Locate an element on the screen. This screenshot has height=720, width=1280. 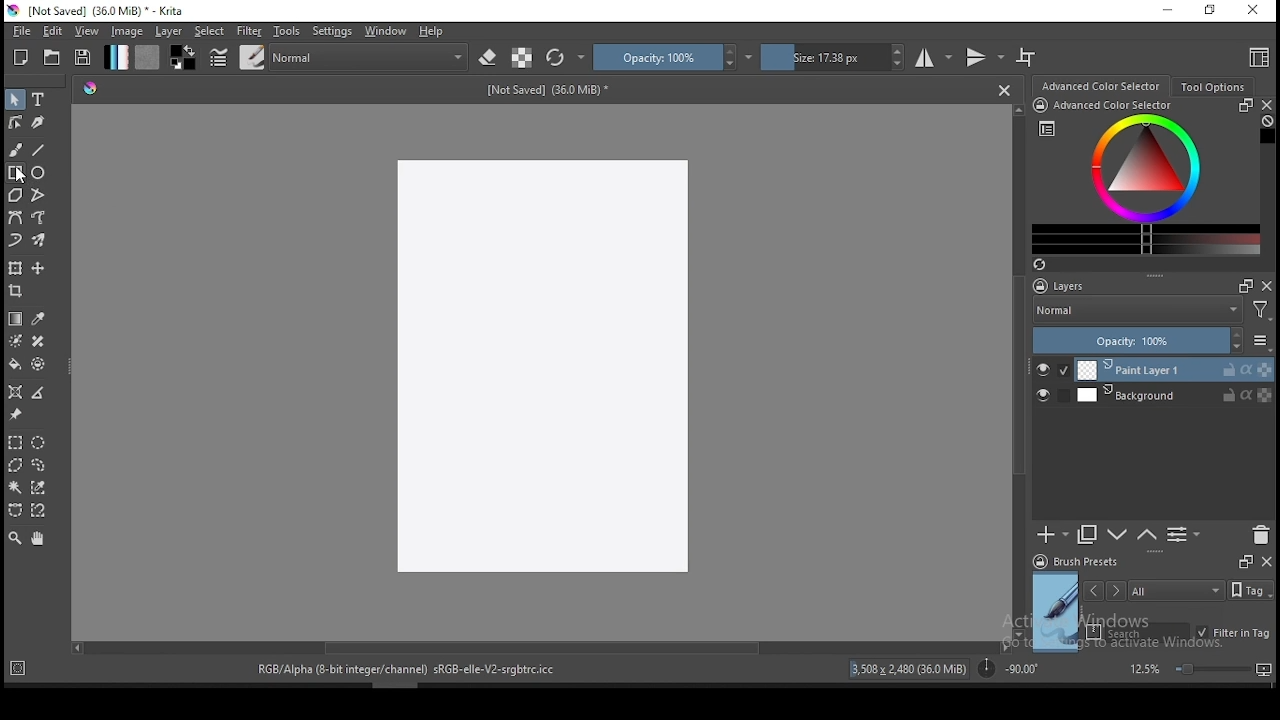
edit shapes tool is located at coordinates (15, 121).